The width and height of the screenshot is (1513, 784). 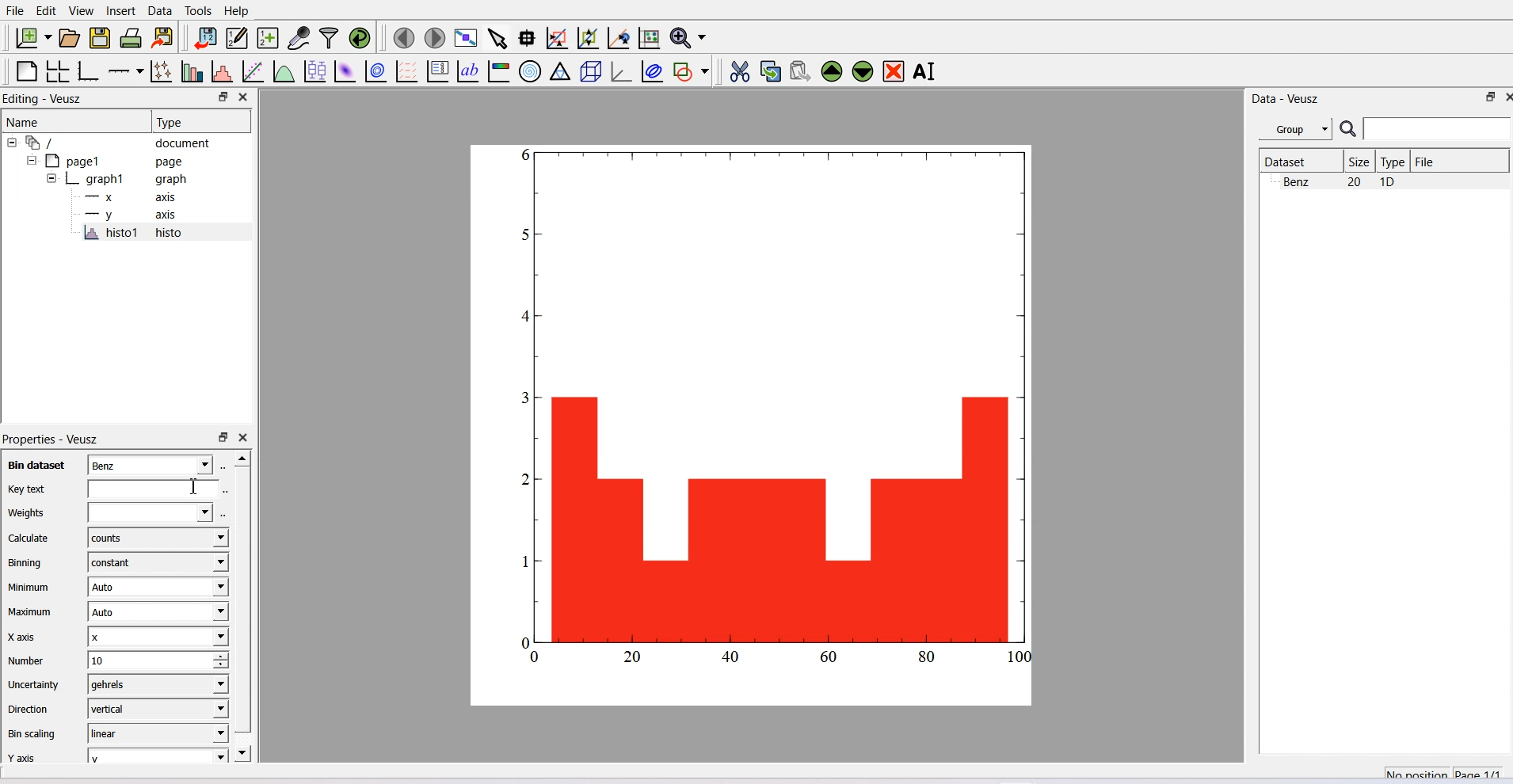 What do you see at coordinates (198, 11) in the screenshot?
I see `Tools` at bounding box center [198, 11].